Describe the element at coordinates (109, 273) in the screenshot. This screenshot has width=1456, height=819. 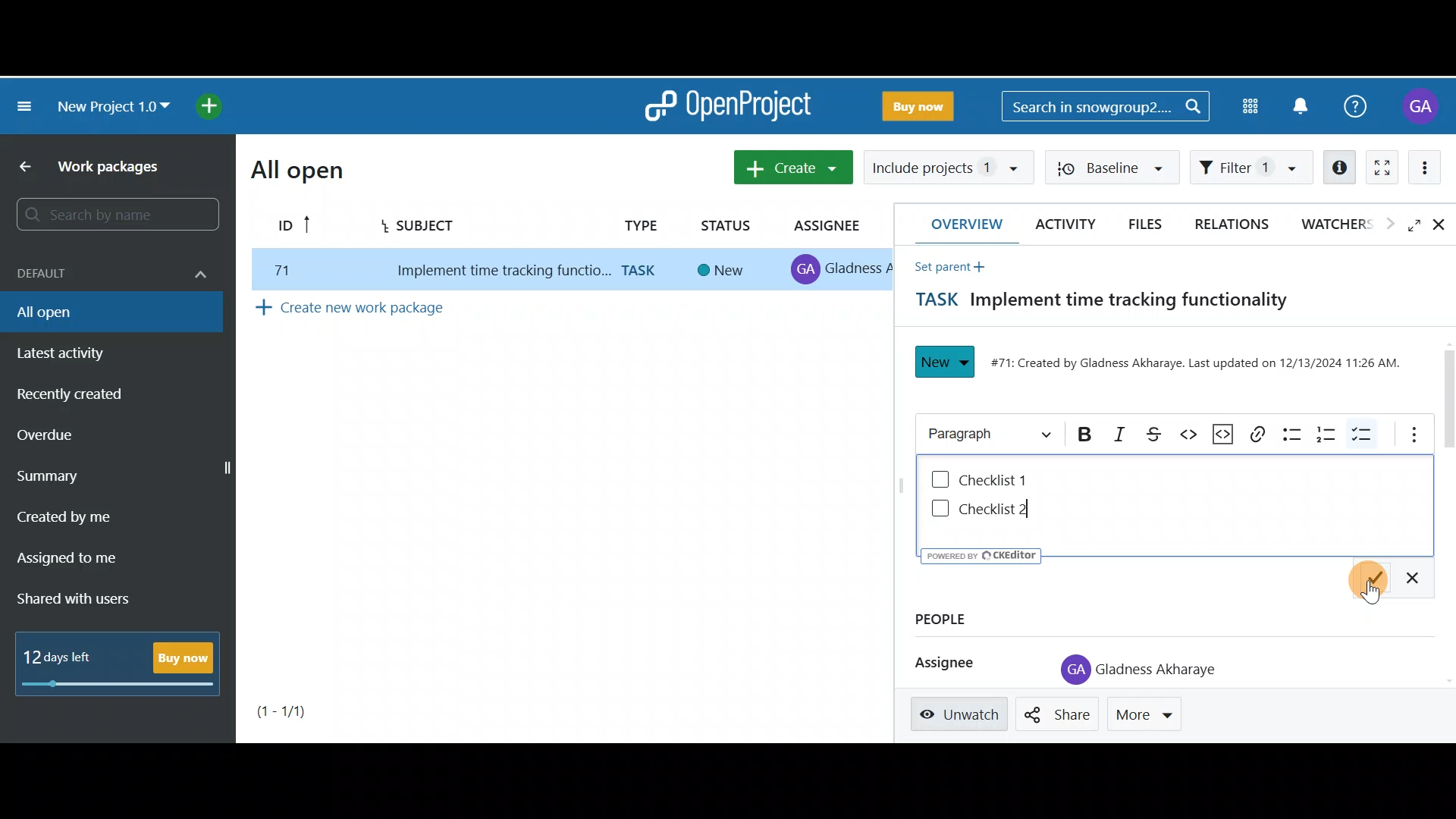
I see `Default` at that location.